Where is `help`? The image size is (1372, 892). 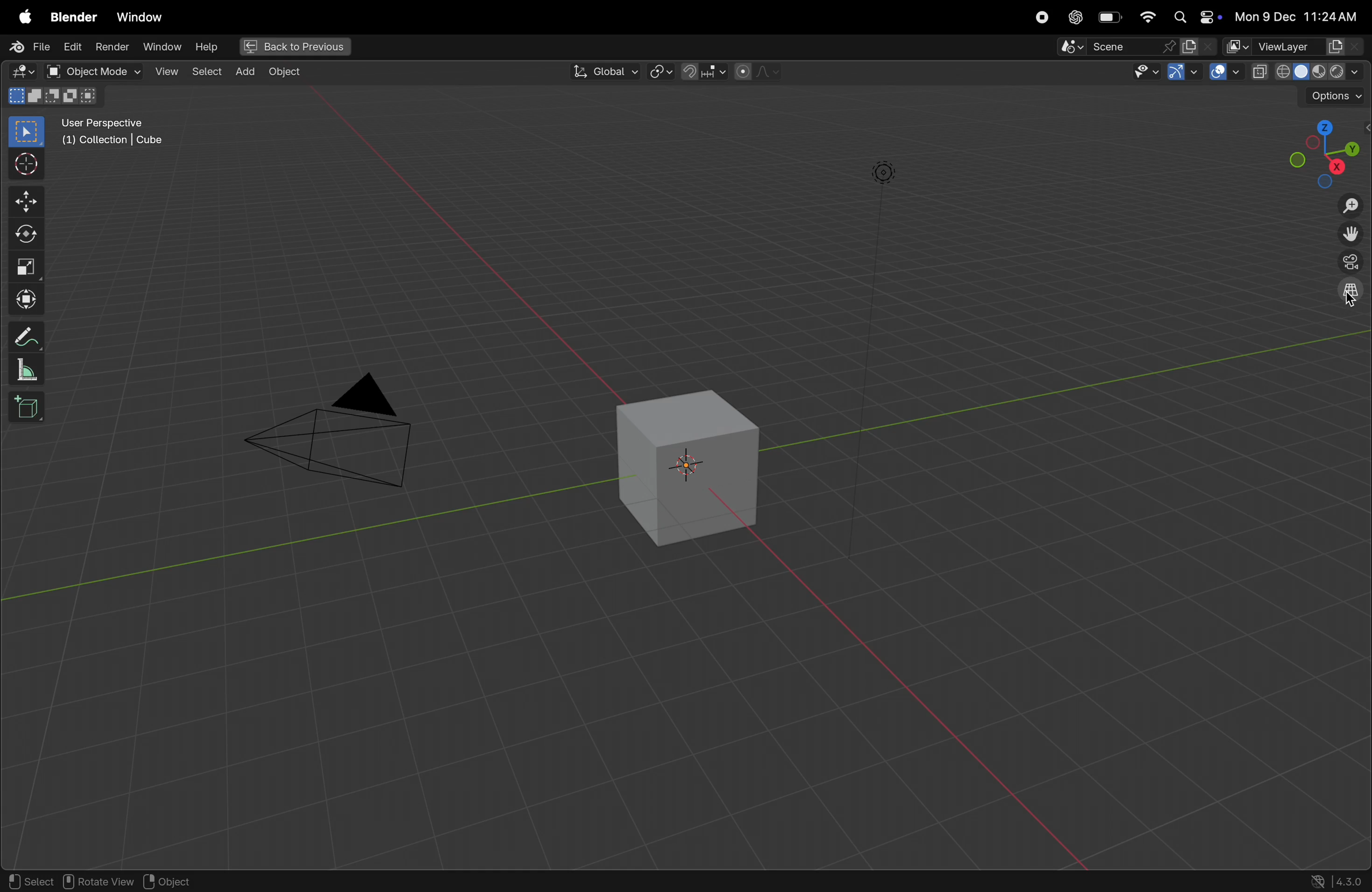 help is located at coordinates (205, 47).